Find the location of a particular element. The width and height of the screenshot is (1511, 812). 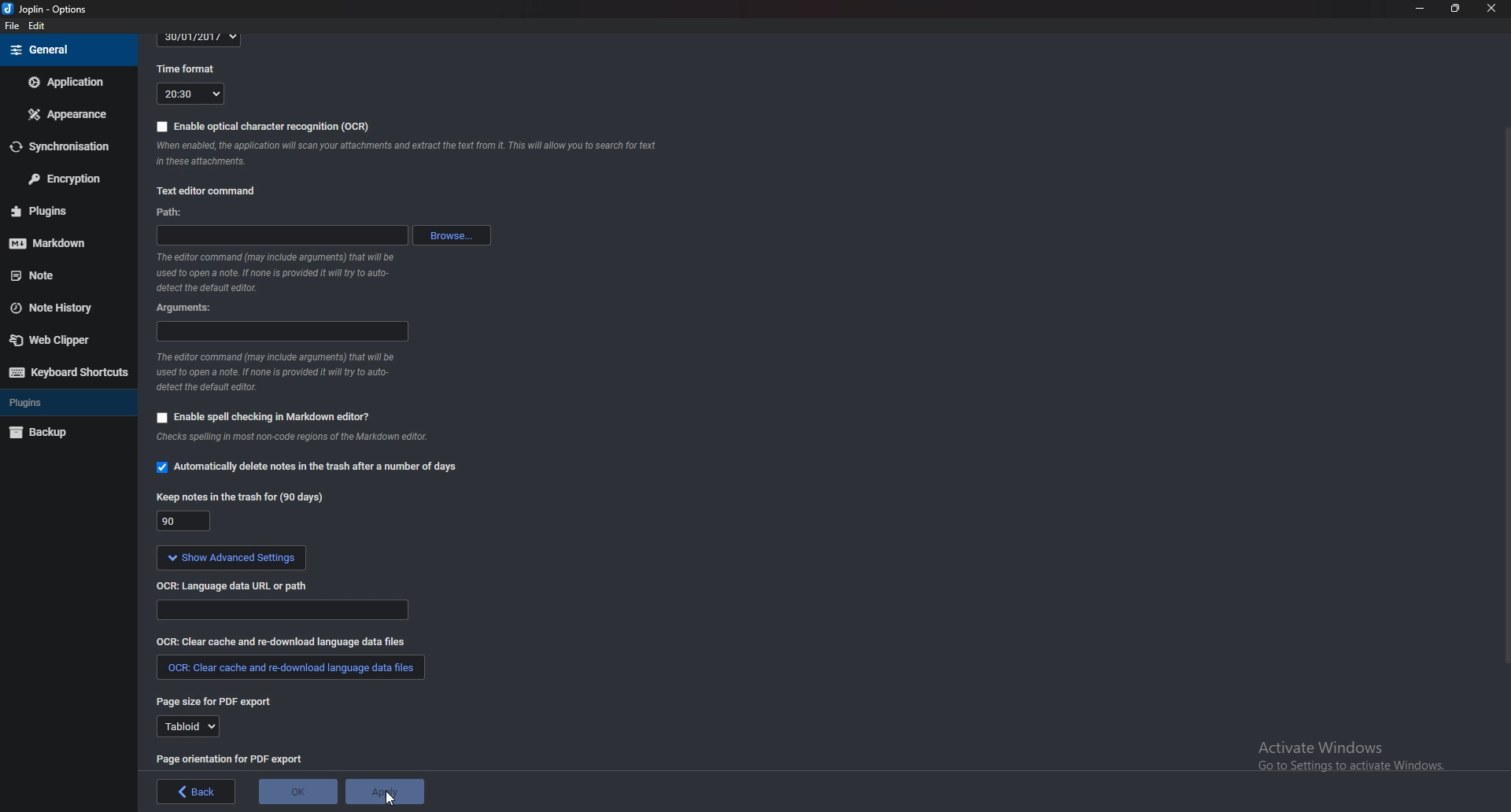

Cursor is located at coordinates (392, 800).